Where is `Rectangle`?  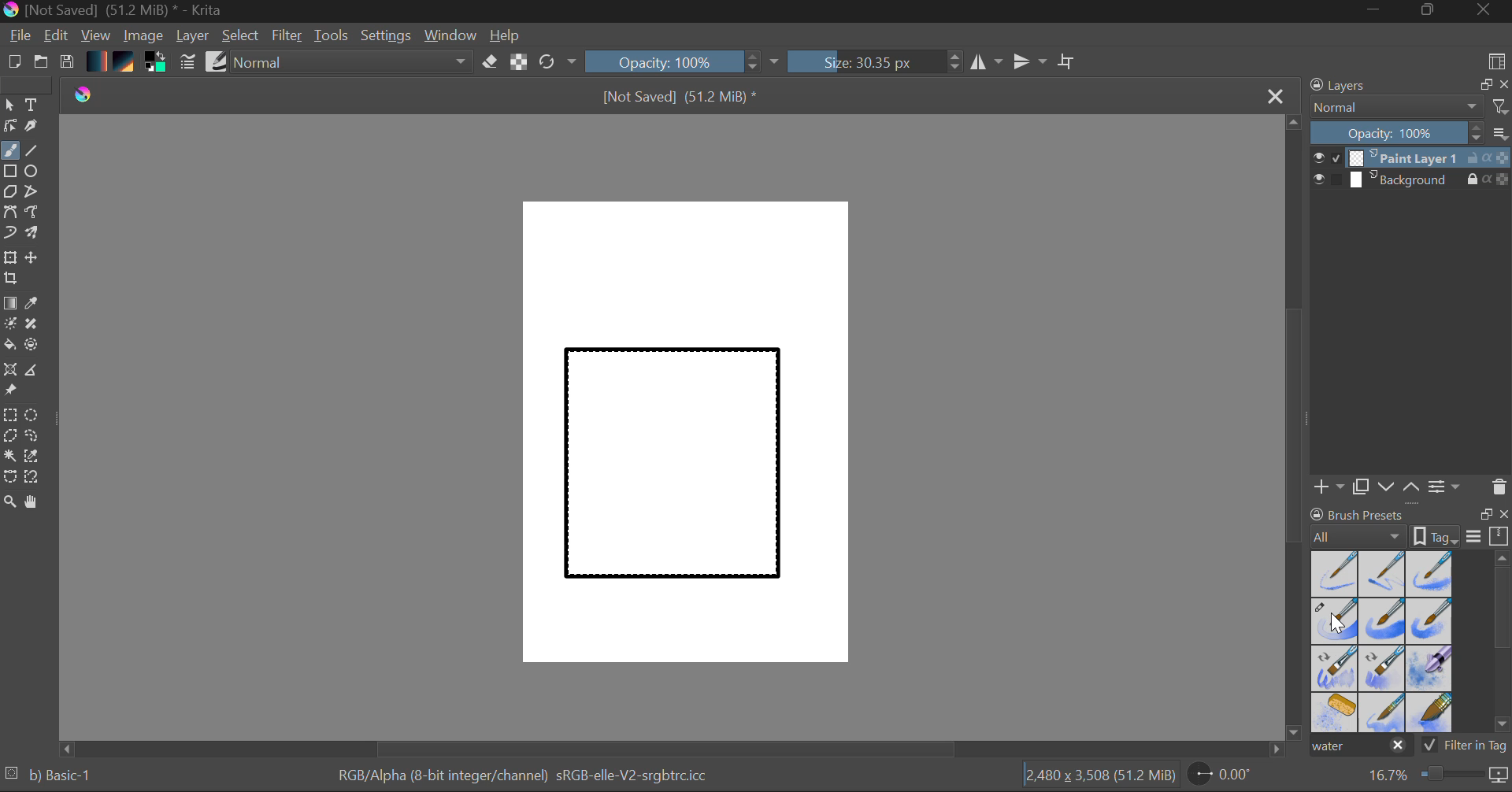 Rectangle is located at coordinates (11, 172).